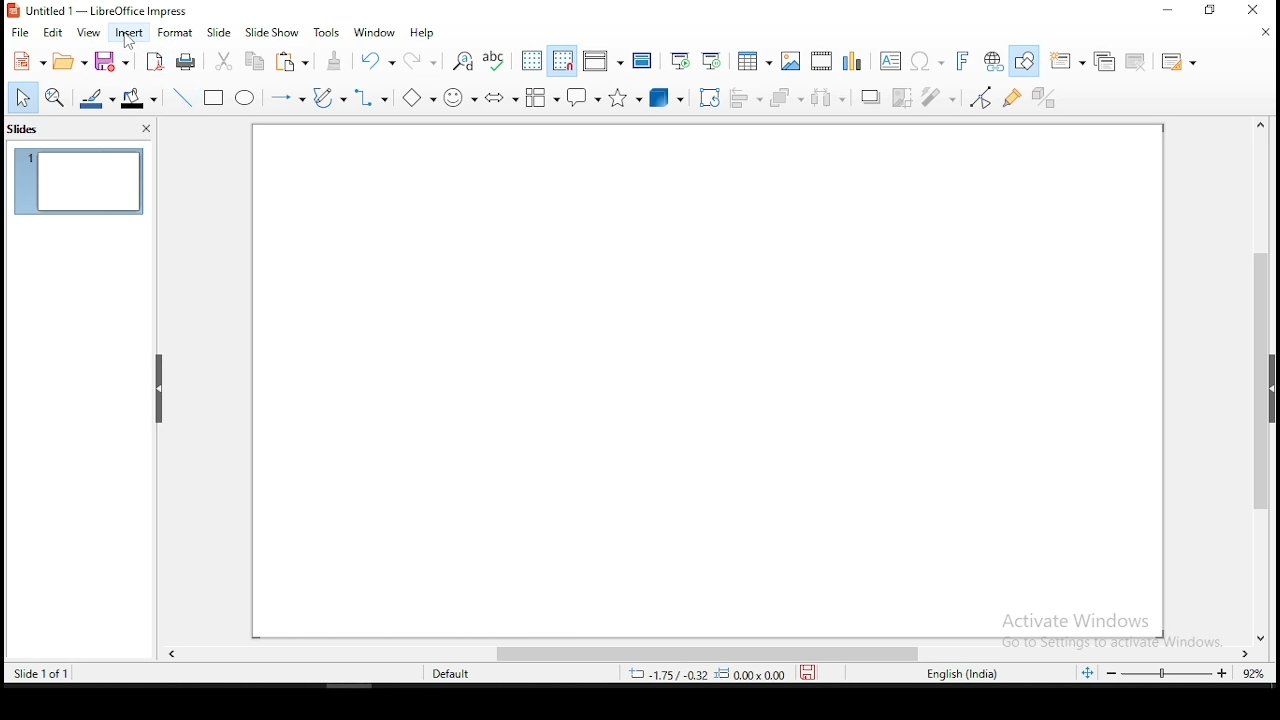 Image resolution: width=1280 pixels, height=720 pixels. Describe the element at coordinates (821, 57) in the screenshot. I see `insert audio or video` at that location.